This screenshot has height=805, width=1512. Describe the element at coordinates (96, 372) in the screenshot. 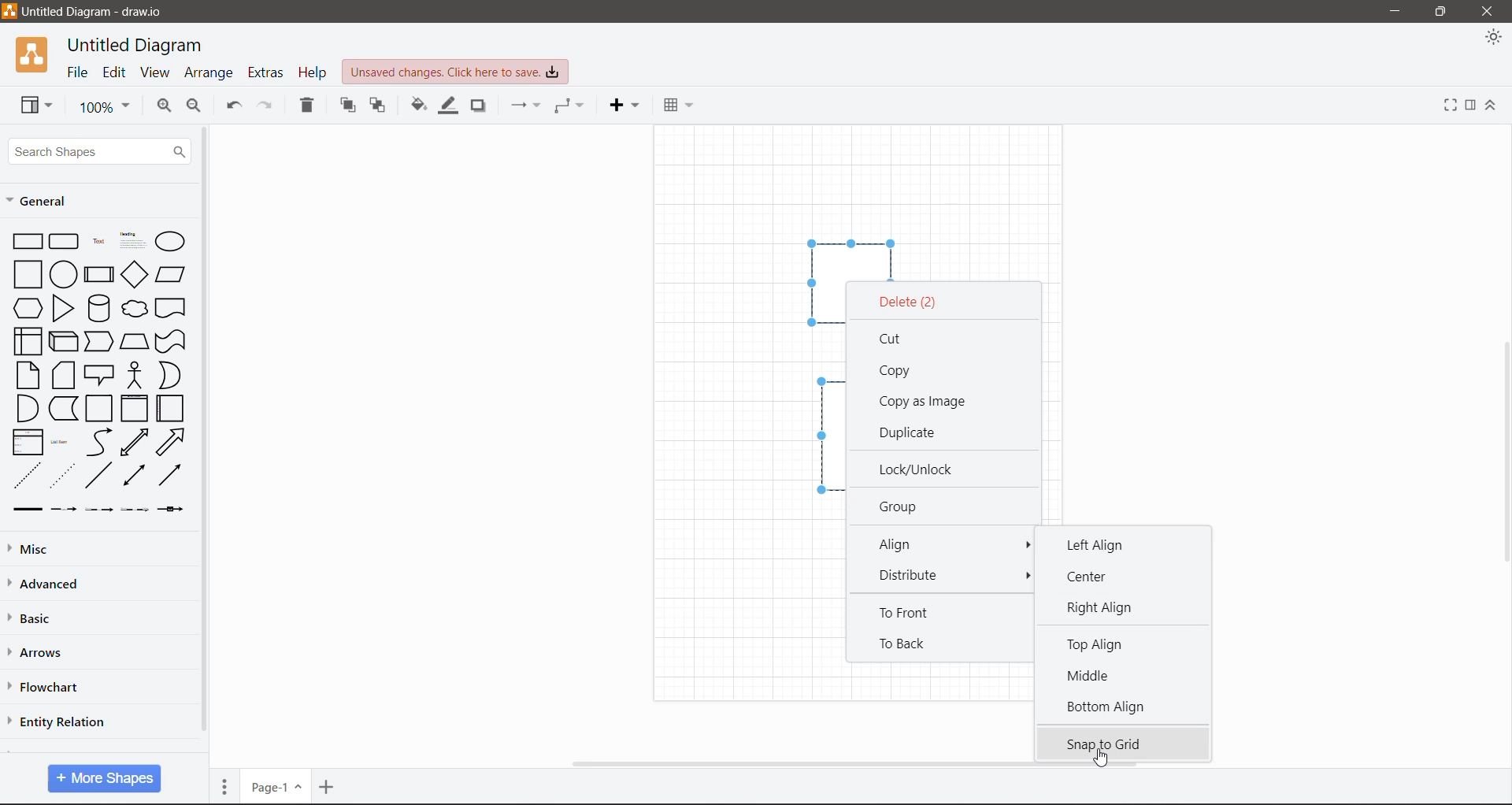

I see `Shapes available in General` at that location.